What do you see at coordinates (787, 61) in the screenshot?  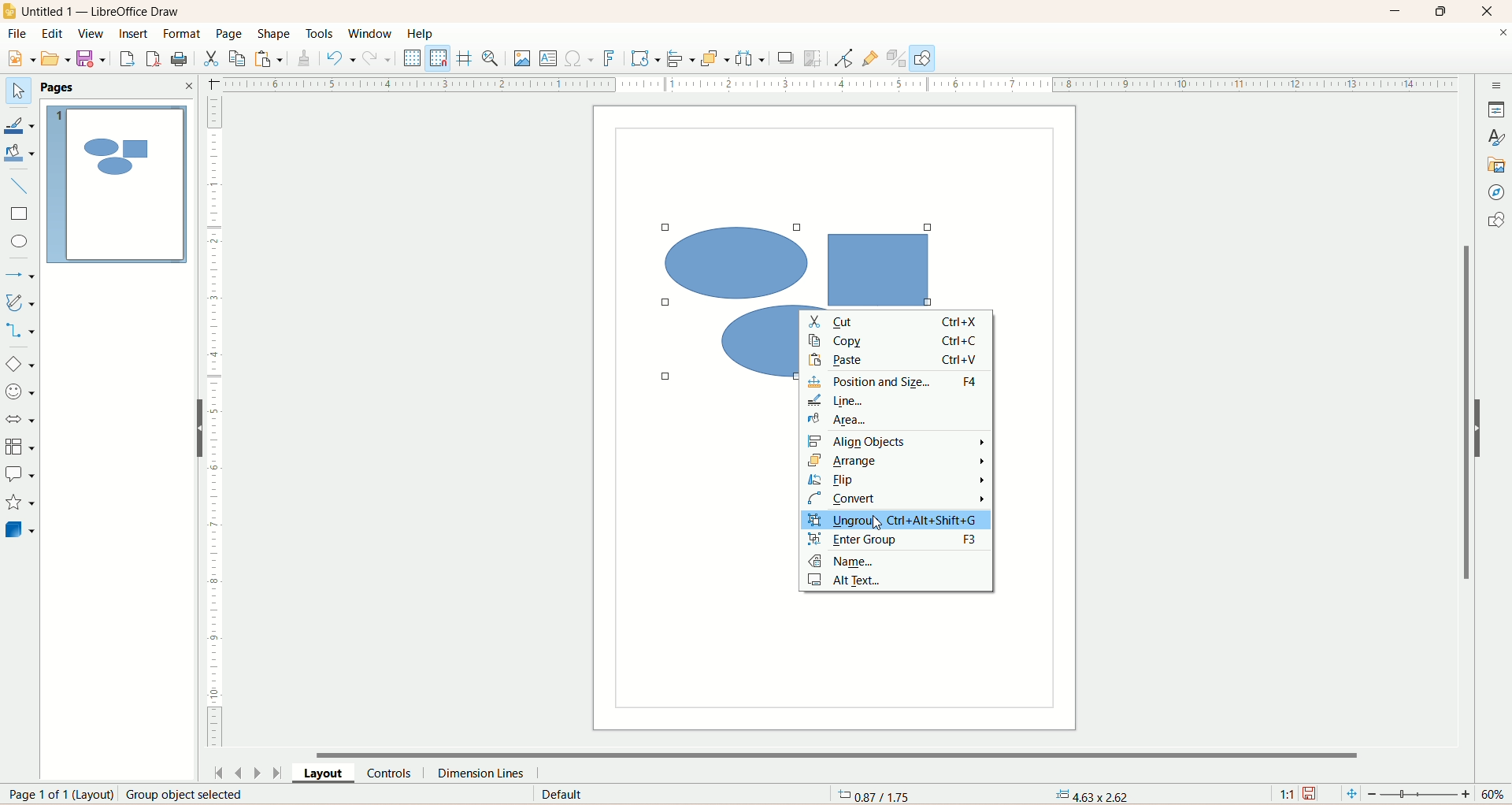 I see `shadow` at bounding box center [787, 61].